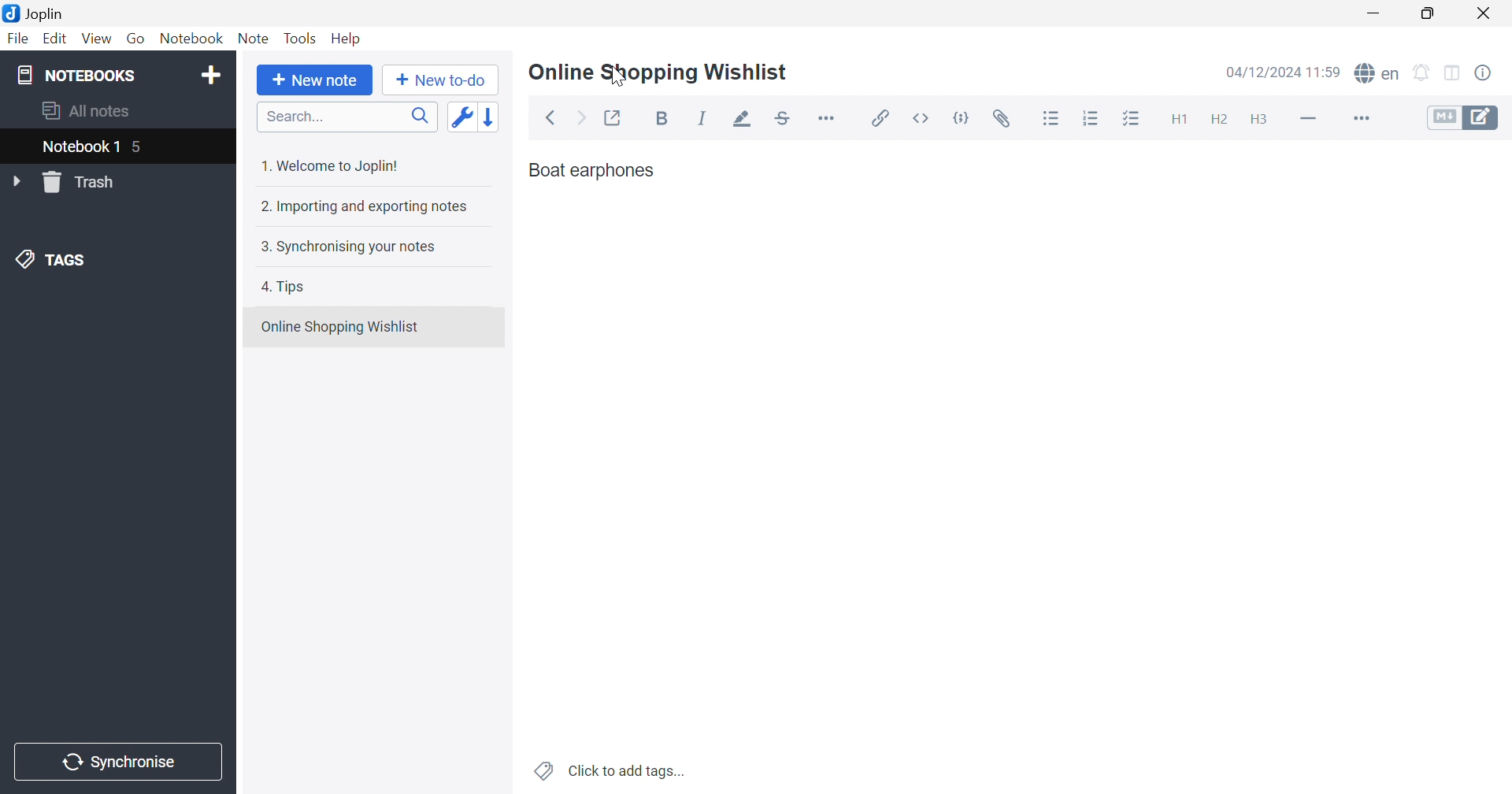 Image resolution: width=1512 pixels, height=794 pixels. What do you see at coordinates (962, 117) in the screenshot?
I see `Code` at bounding box center [962, 117].